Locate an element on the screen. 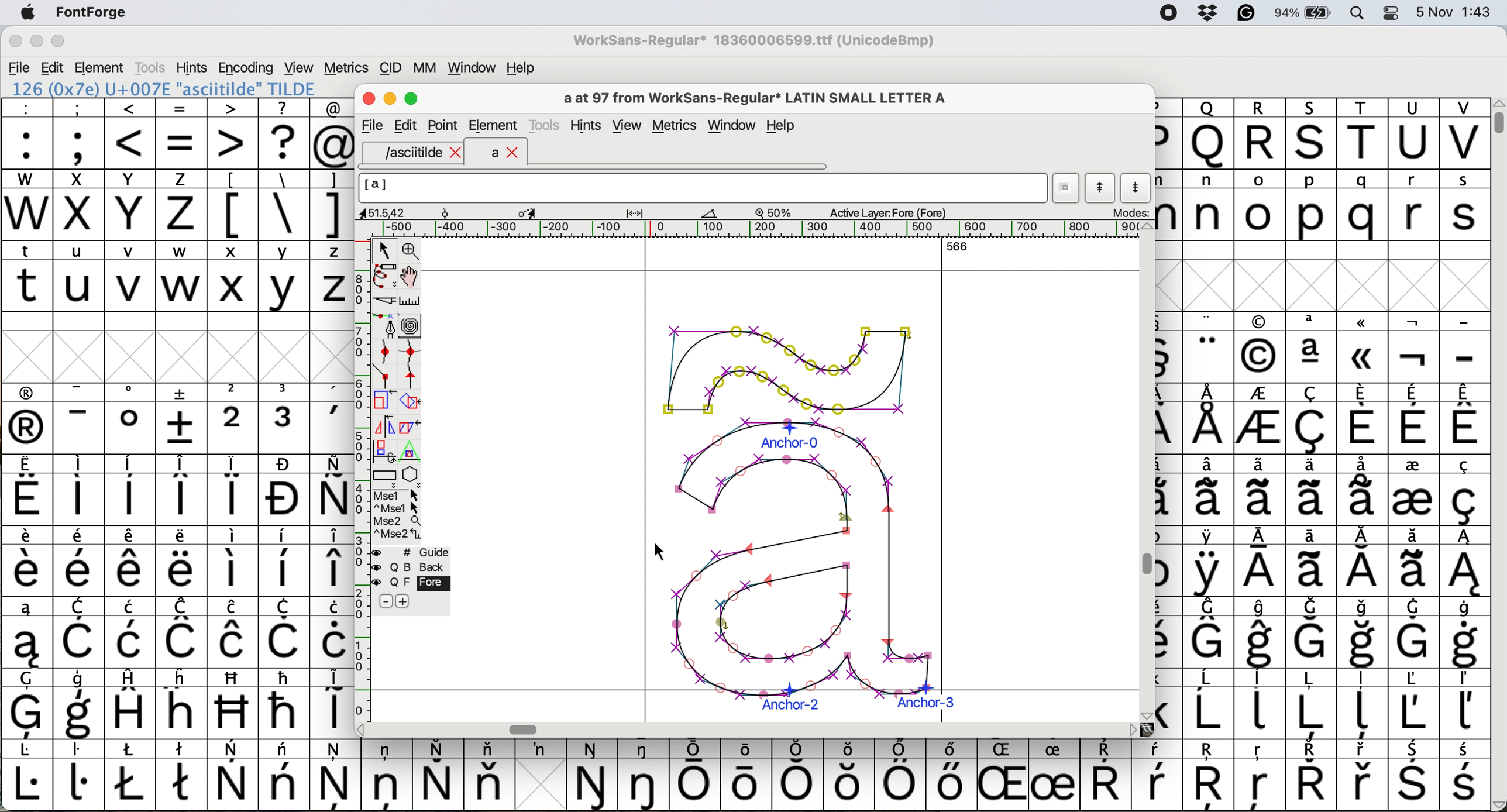 The width and height of the screenshot is (1507, 812). scroll button is located at coordinates (1133, 729).